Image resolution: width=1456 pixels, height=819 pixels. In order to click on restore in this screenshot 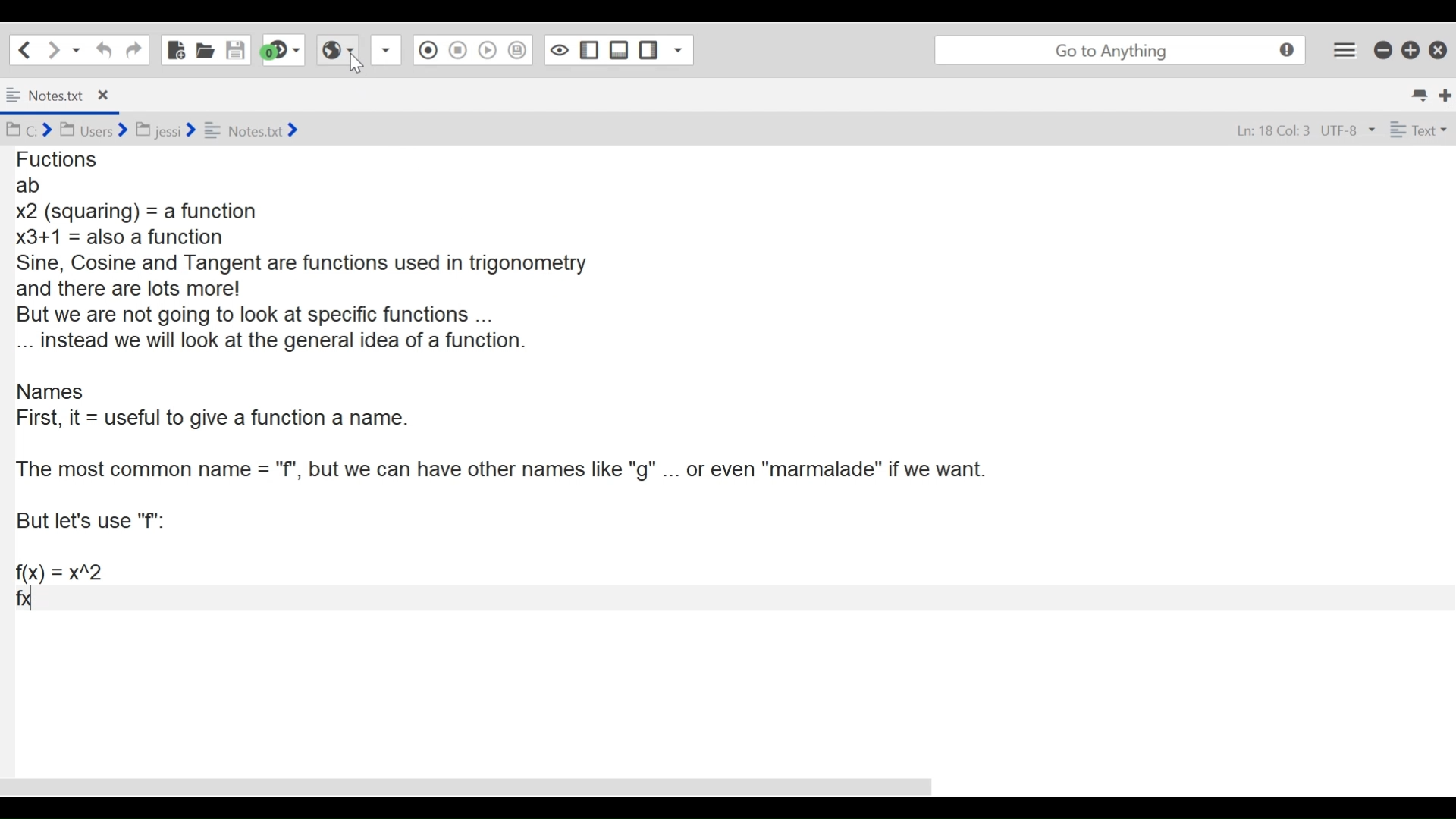, I will do `click(1408, 50)`.